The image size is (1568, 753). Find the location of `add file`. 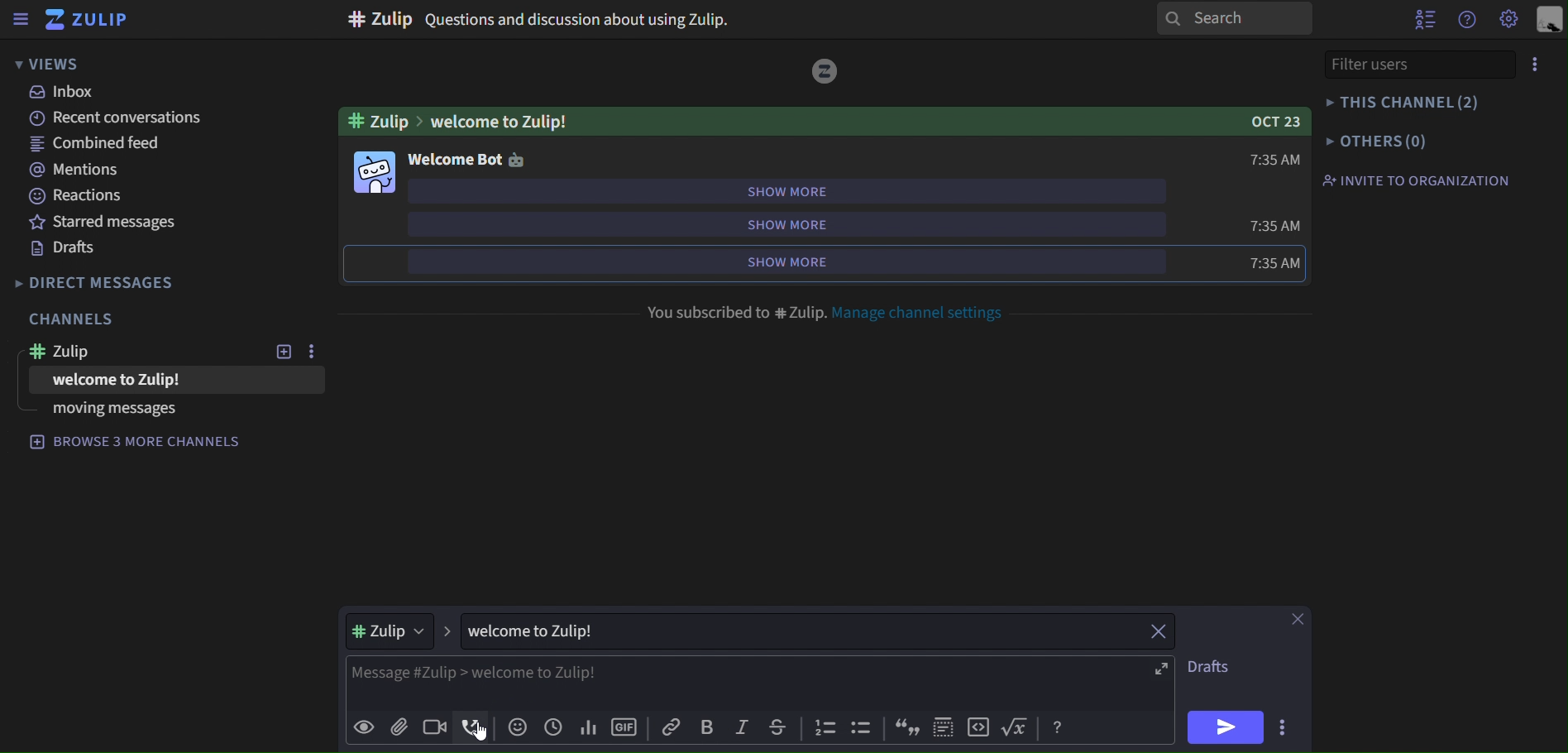

add file is located at coordinates (401, 727).